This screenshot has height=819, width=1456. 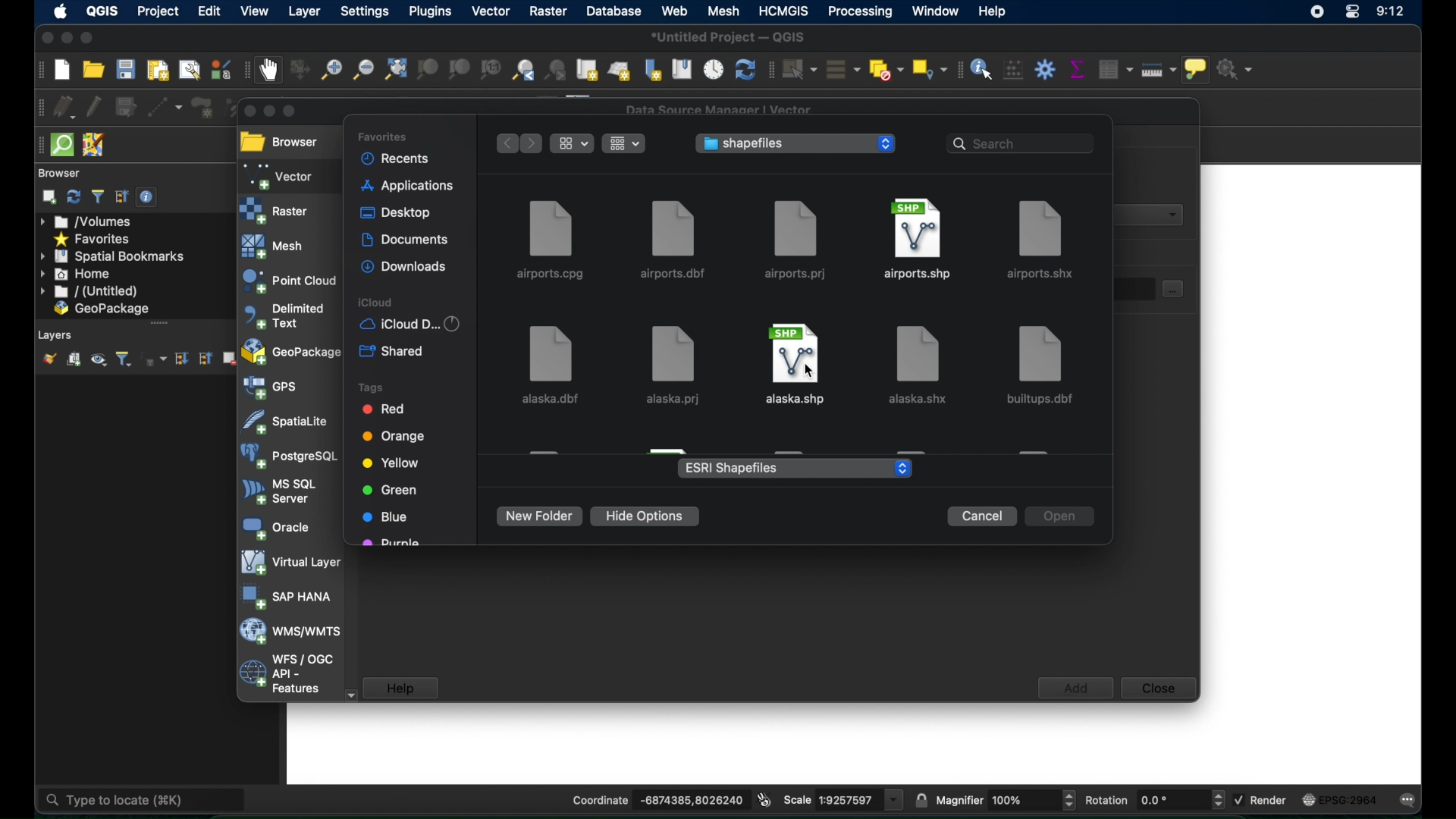 What do you see at coordinates (113, 256) in the screenshot?
I see `spatial bookmarks` at bounding box center [113, 256].